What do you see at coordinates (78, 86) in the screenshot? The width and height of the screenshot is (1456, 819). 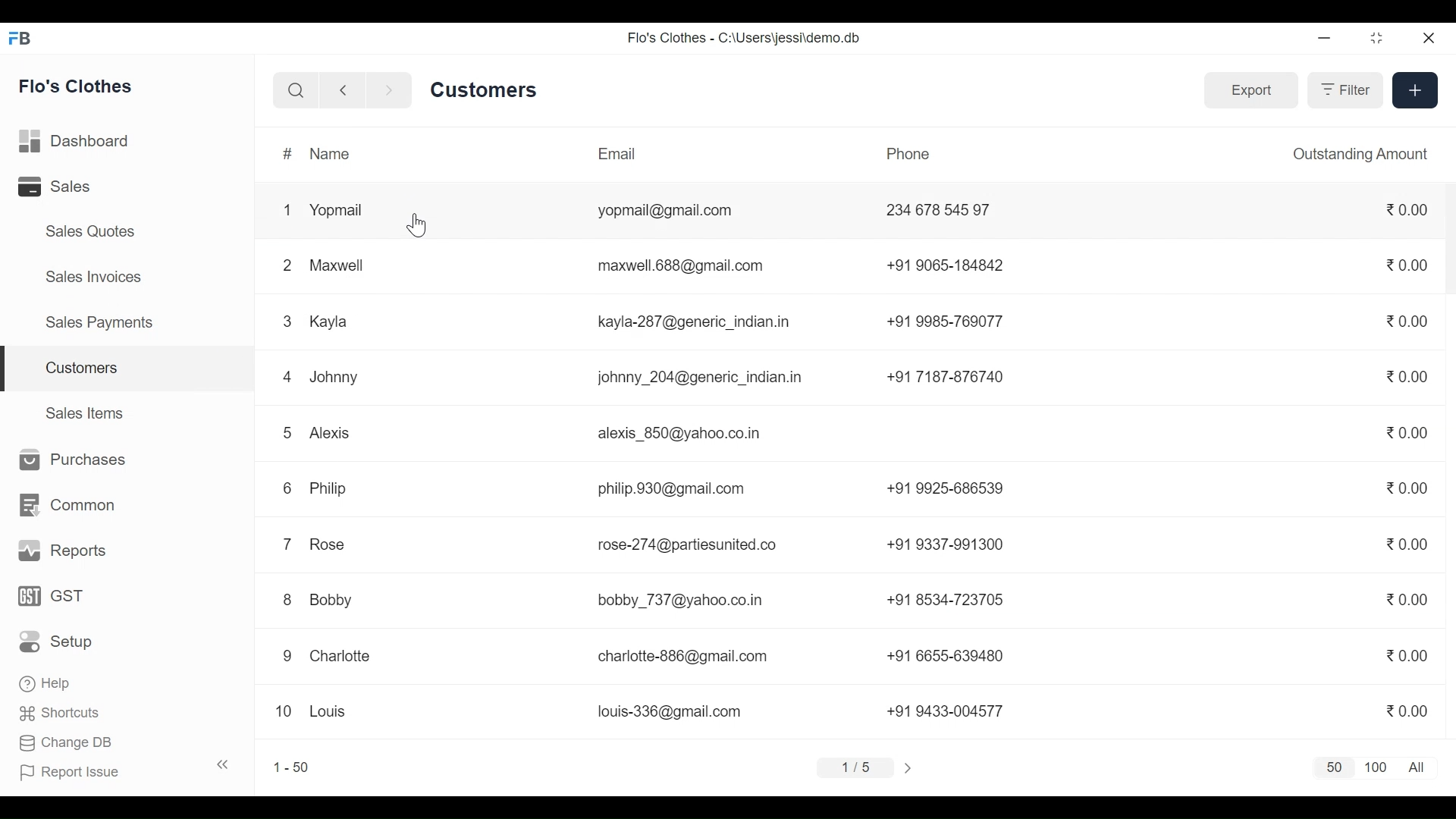 I see `Flo's Clothes` at bounding box center [78, 86].